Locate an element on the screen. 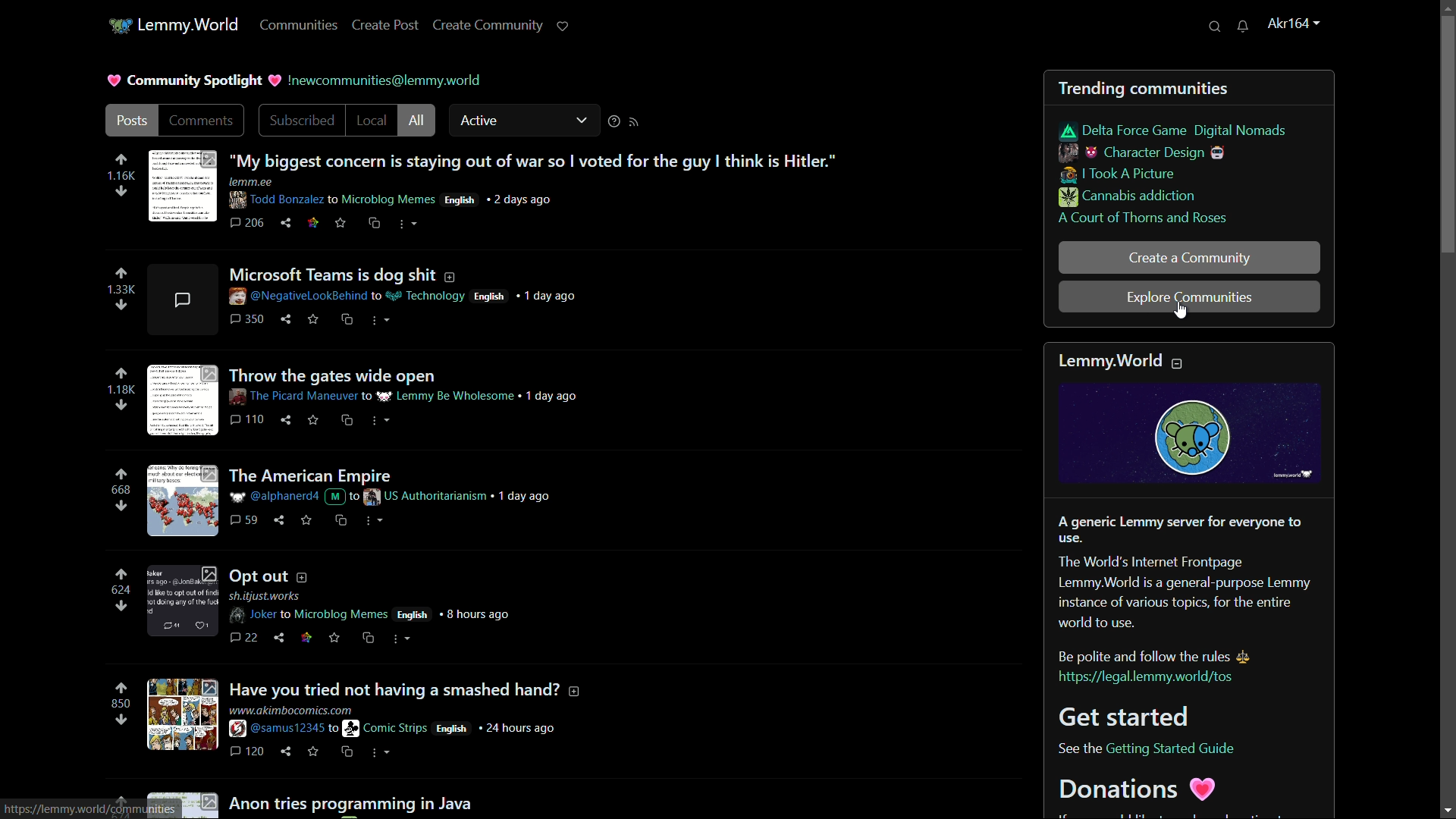 This screenshot has width=1456, height=819. post details is located at coordinates (416, 397).